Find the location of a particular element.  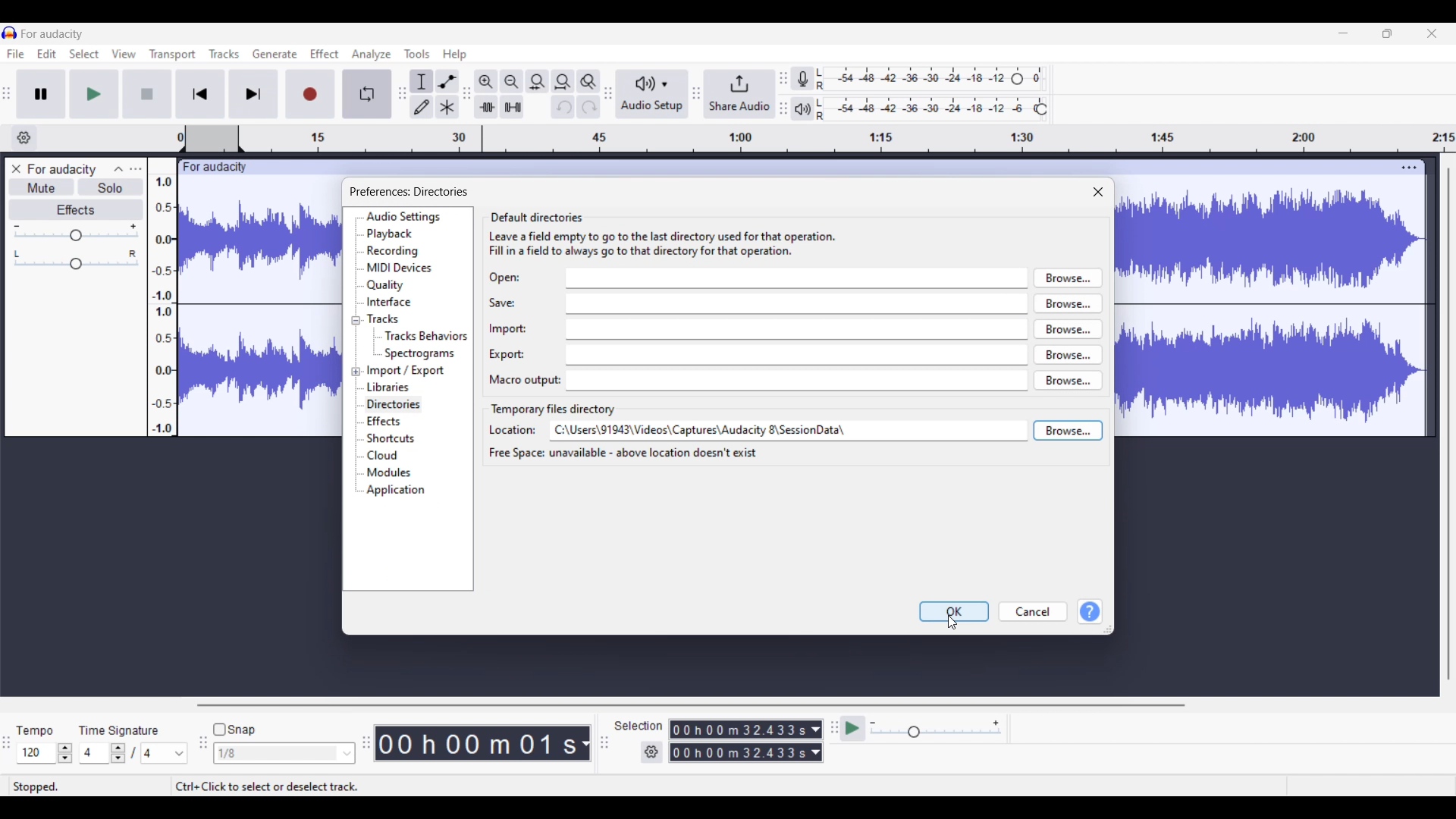

free space unavailable -  above location doesn't exist is located at coordinates (623, 453).